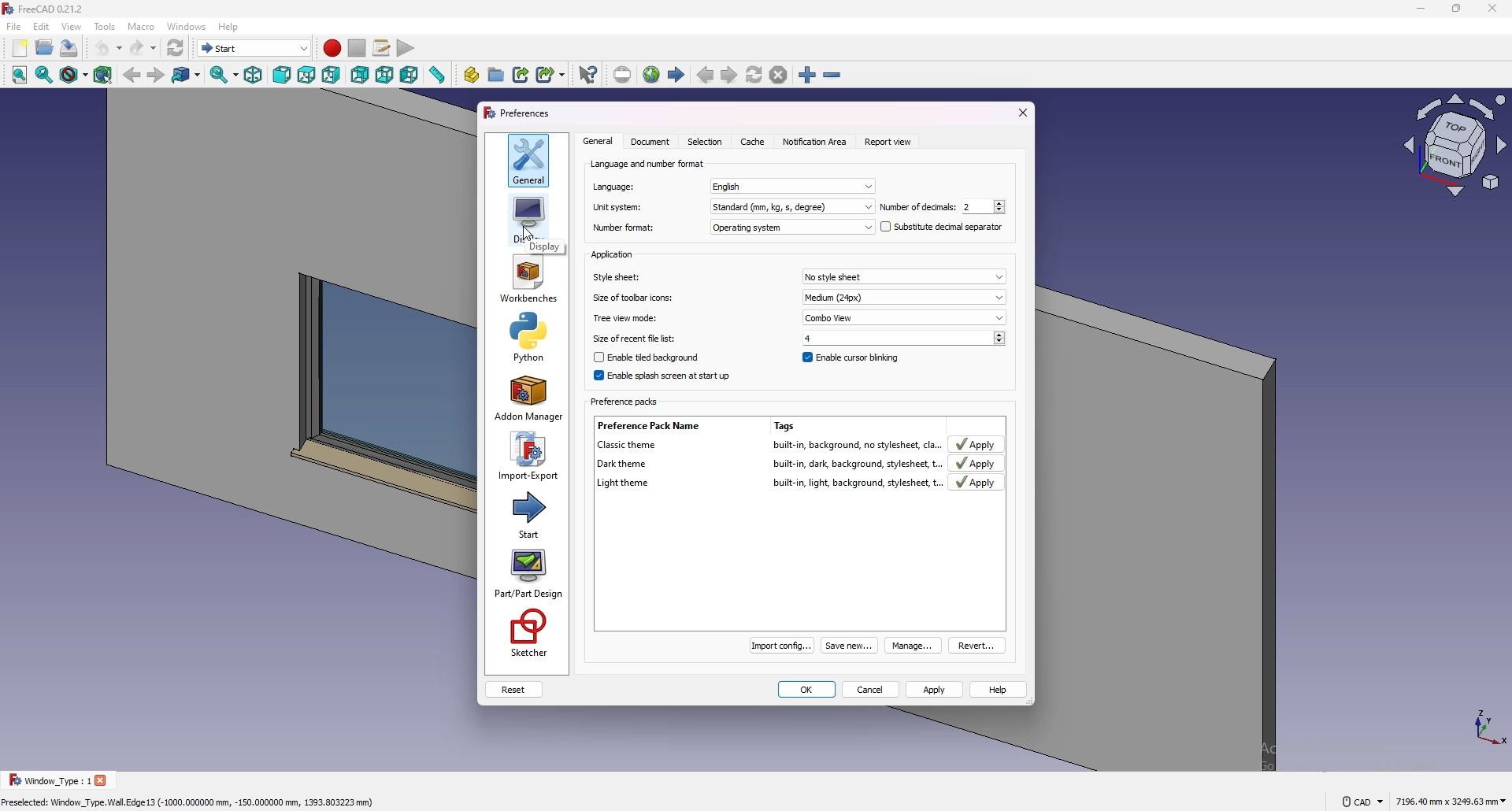 This screenshot has height=811, width=1512. I want to click on sync view, so click(224, 75).